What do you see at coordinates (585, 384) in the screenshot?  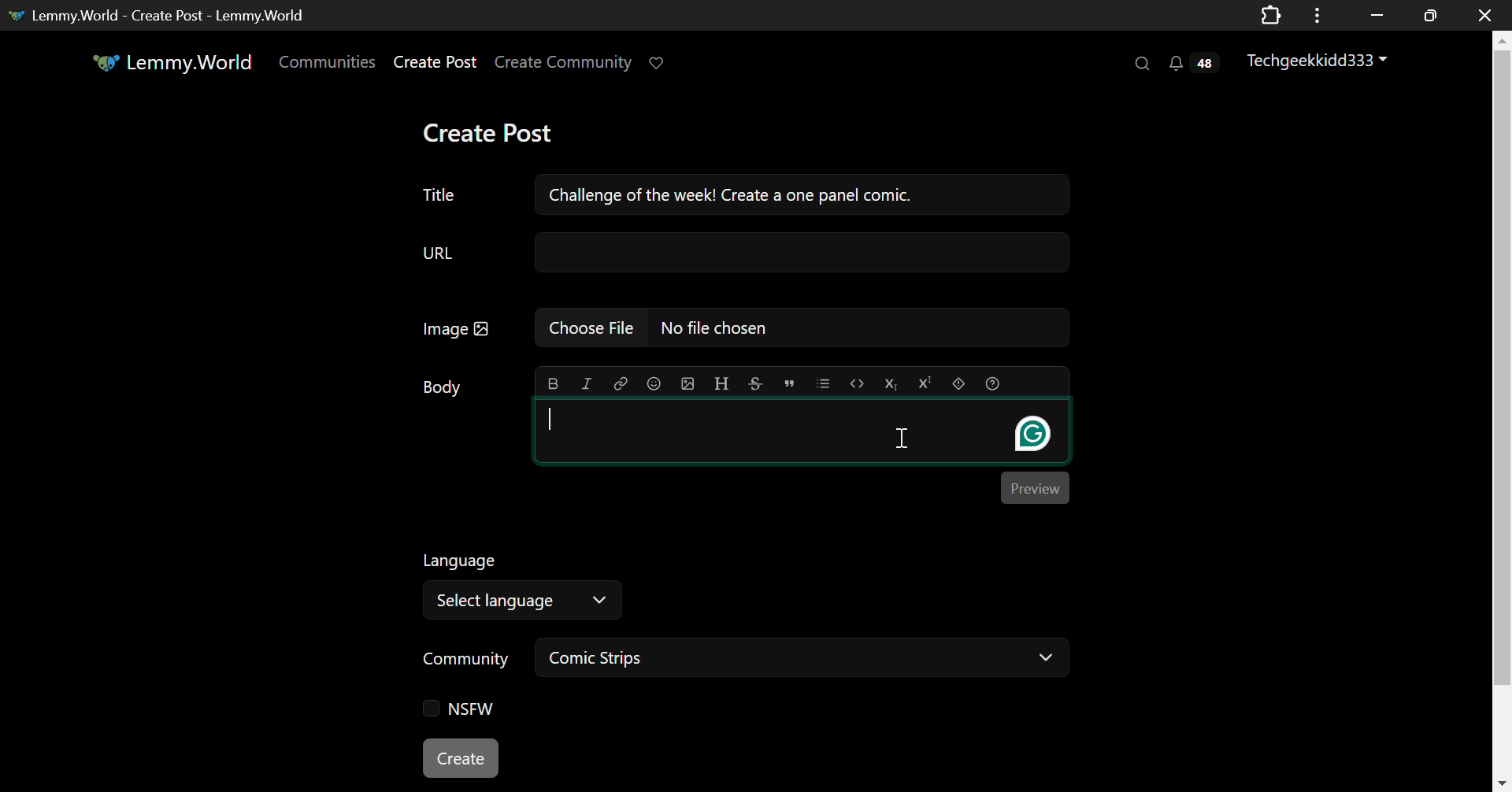 I see `italic` at bounding box center [585, 384].